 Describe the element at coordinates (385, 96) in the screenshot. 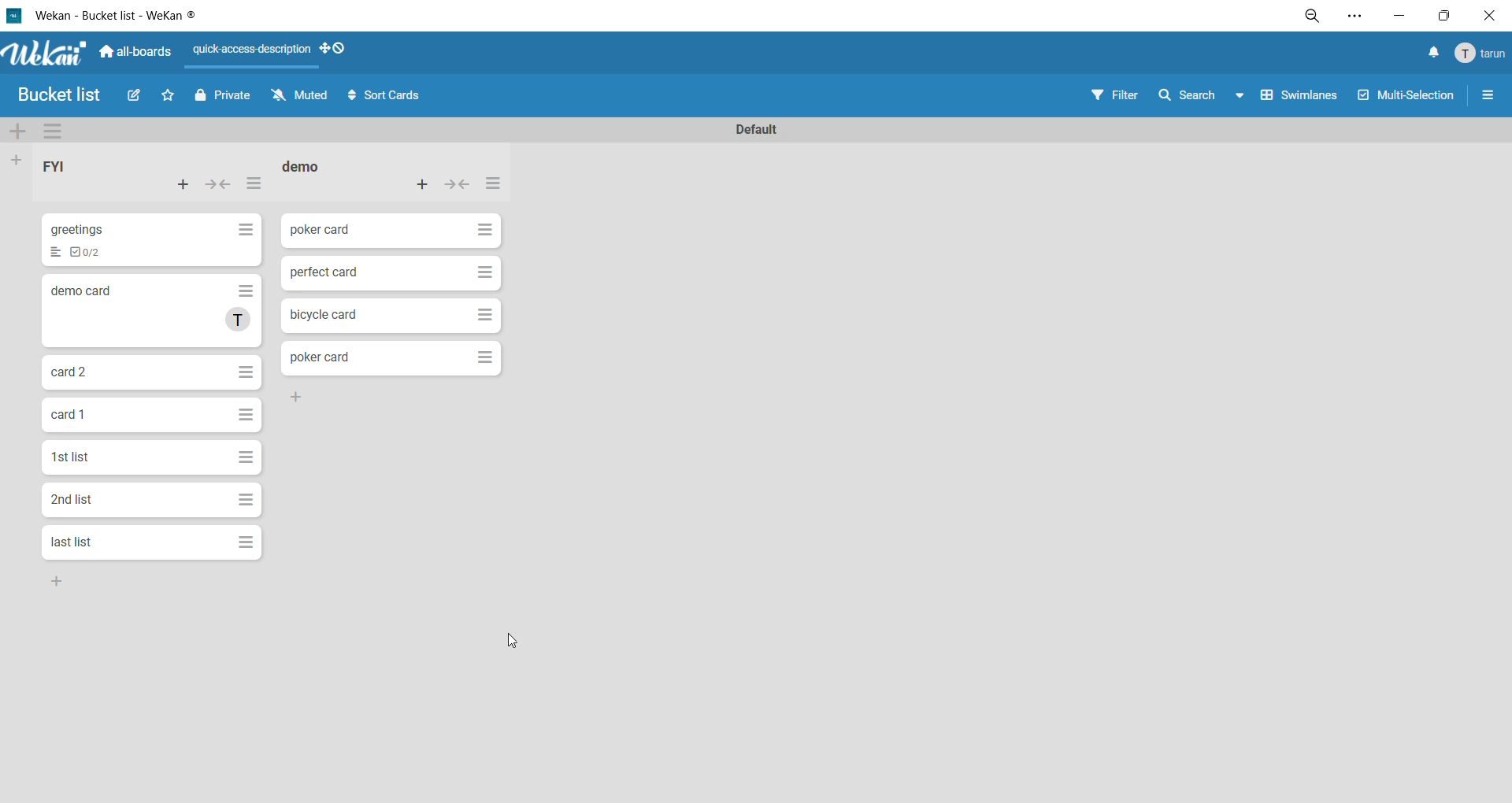

I see `sort cards` at that location.